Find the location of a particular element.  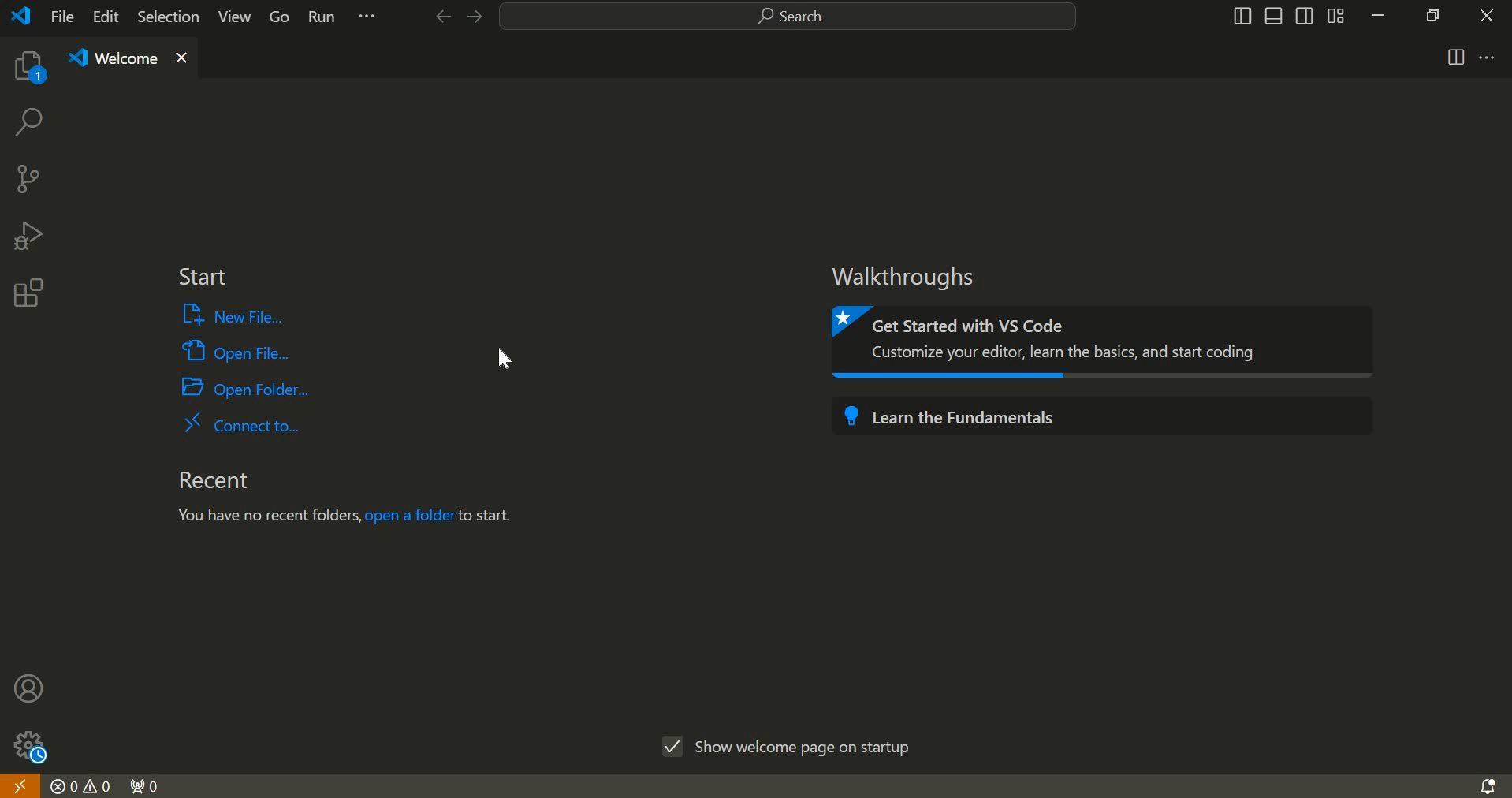

get started with VS Code is located at coordinates (1107, 342).